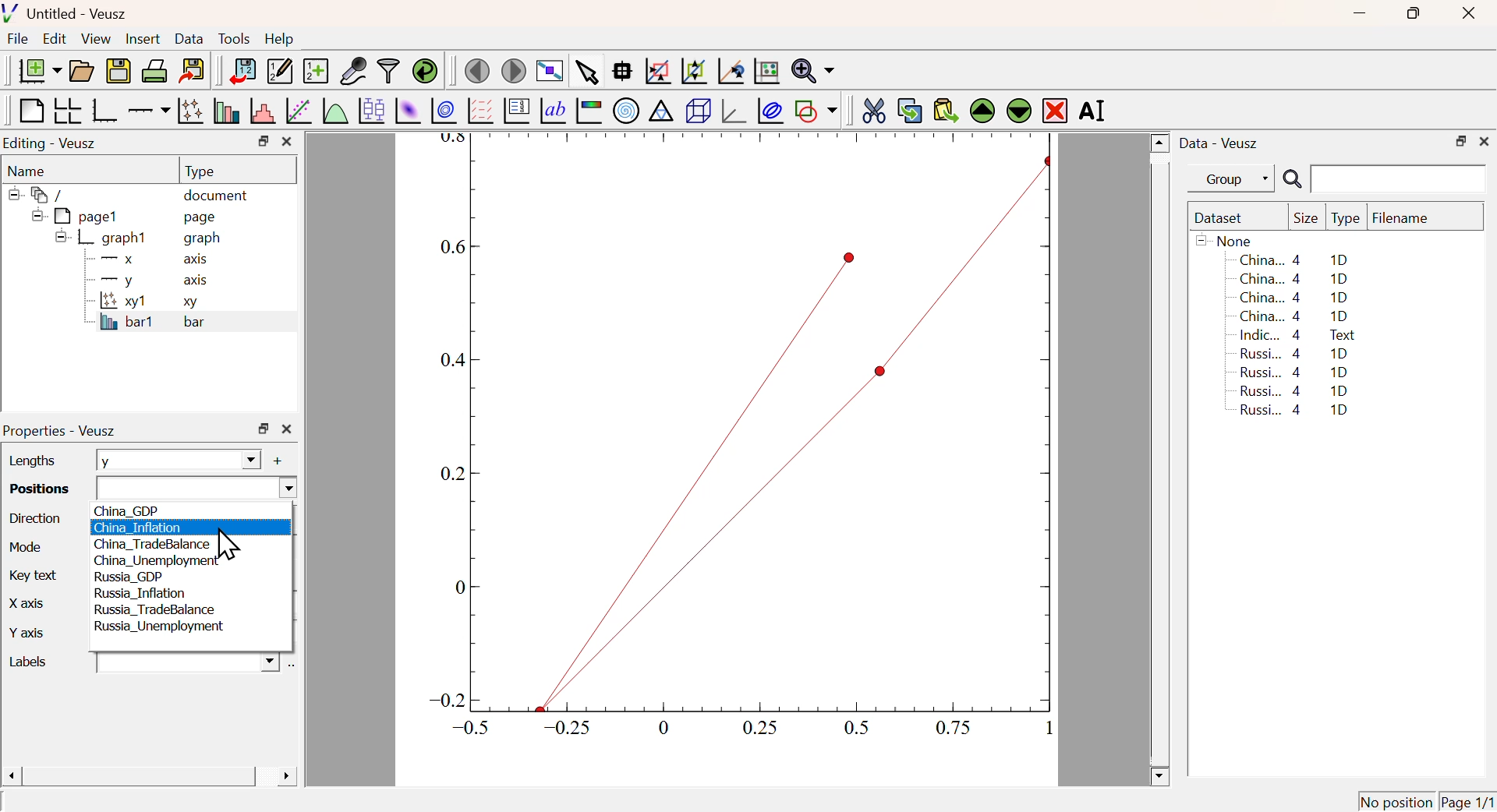 The height and width of the screenshot is (812, 1497). I want to click on Restore Down, so click(1460, 142).